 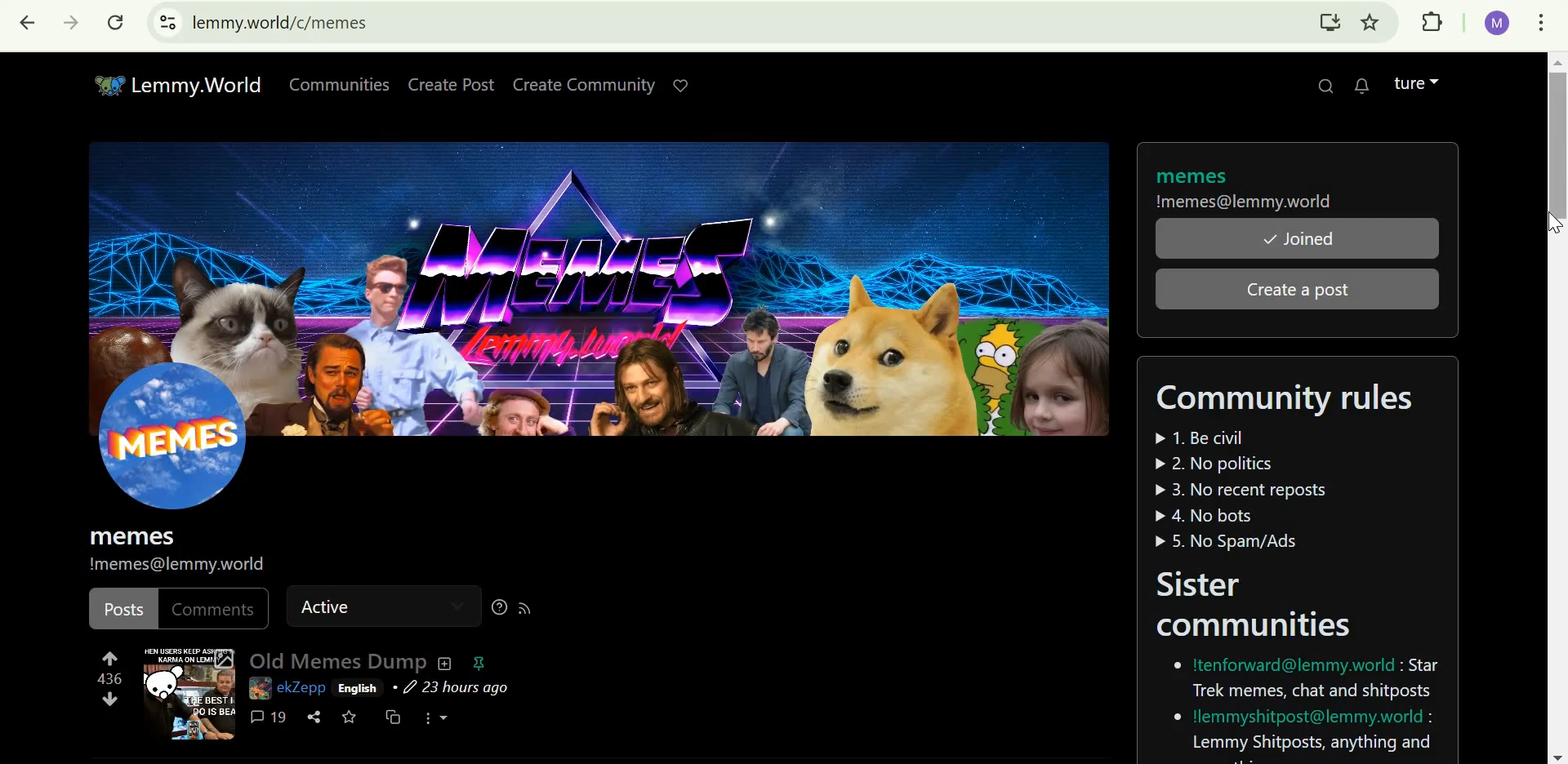 What do you see at coordinates (1374, 24) in the screenshot?
I see `bookmark this tab` at bounding box center [1374, 24].